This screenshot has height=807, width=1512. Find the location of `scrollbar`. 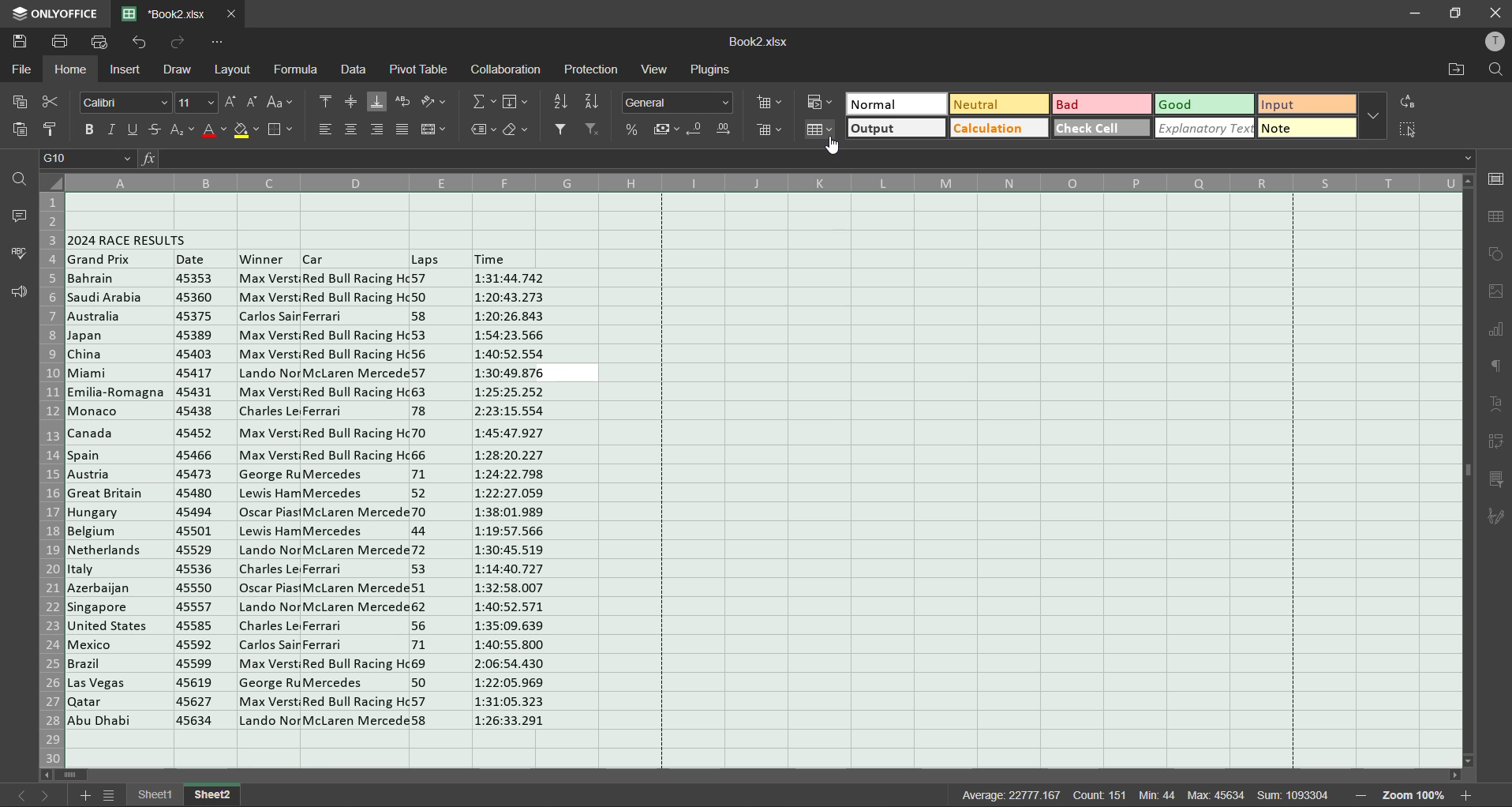

scrollbar is located at coordinates (1468, 471).